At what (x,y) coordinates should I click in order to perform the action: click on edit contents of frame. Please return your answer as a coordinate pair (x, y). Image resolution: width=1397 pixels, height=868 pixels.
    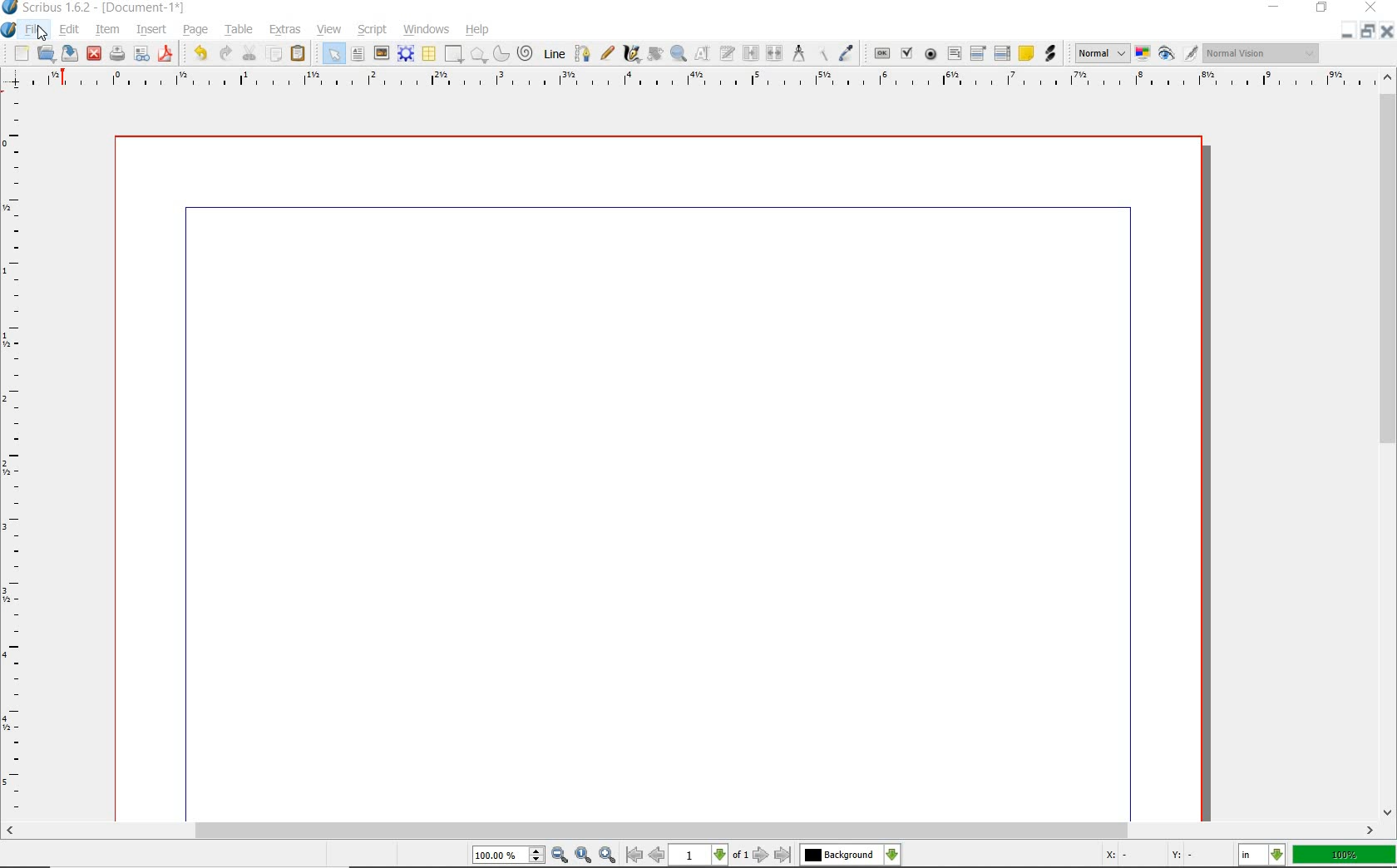
    Looking at the image, I should click on (703, 52).